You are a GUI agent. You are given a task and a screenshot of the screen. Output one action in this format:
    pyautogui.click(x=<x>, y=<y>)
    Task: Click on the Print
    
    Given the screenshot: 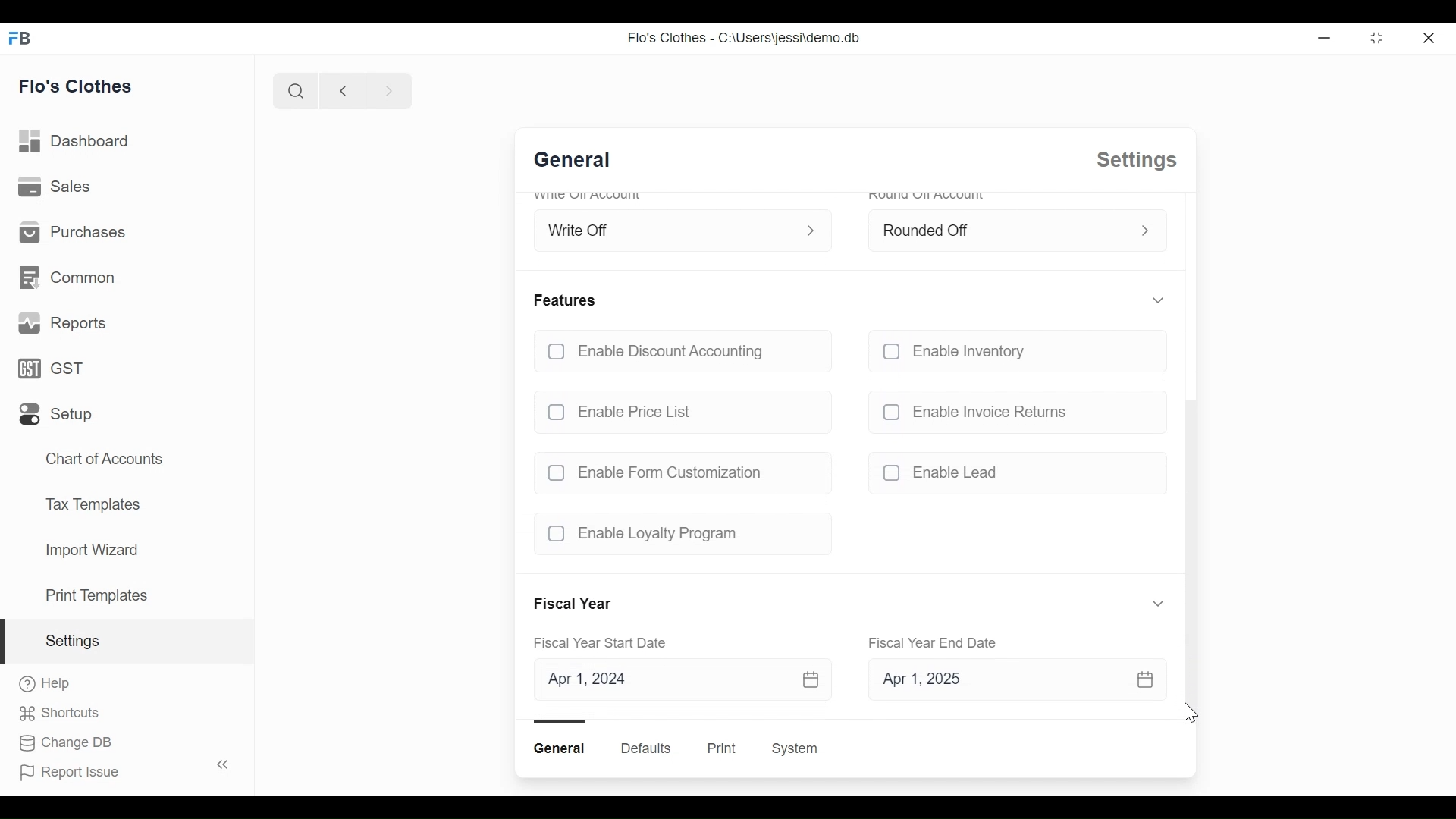 What is the action you would take?
    pyautogui.click(x=720, y=748)
    